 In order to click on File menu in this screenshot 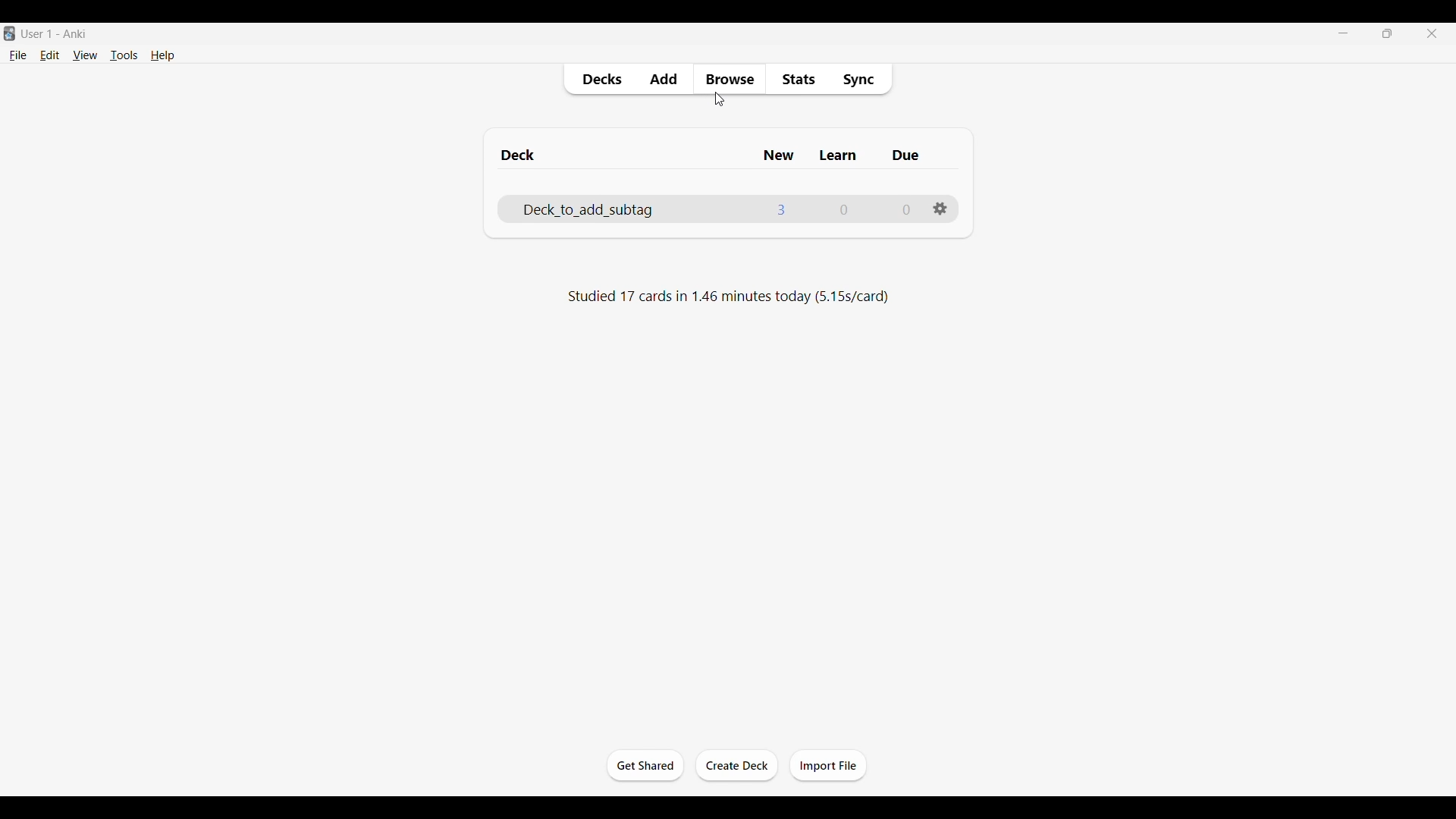, I will do `click(18, 55)`.